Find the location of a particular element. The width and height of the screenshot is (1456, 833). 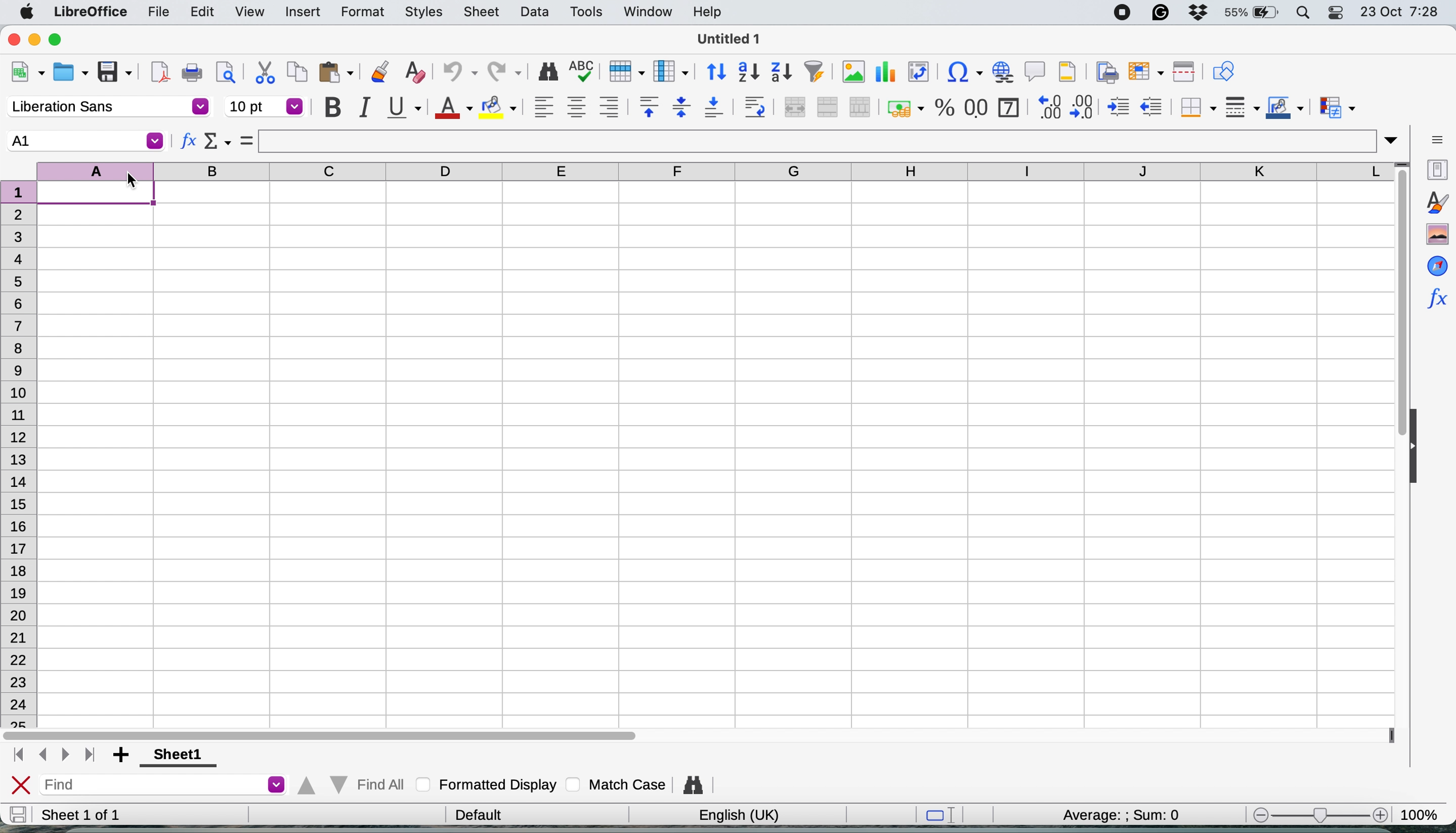

print is located at coordinates (194, 74).